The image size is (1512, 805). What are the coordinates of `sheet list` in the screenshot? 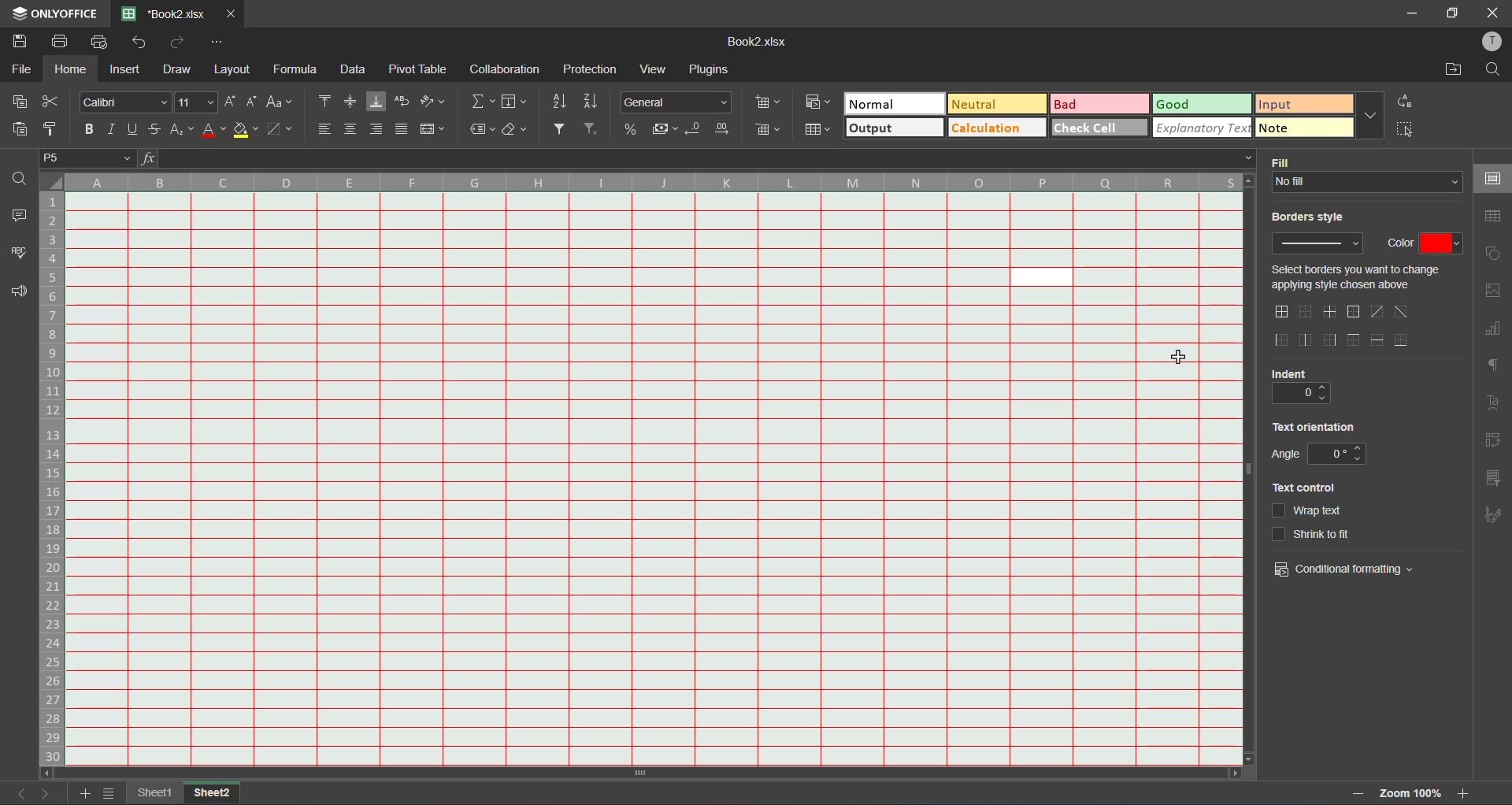 It's located at (113, 795).